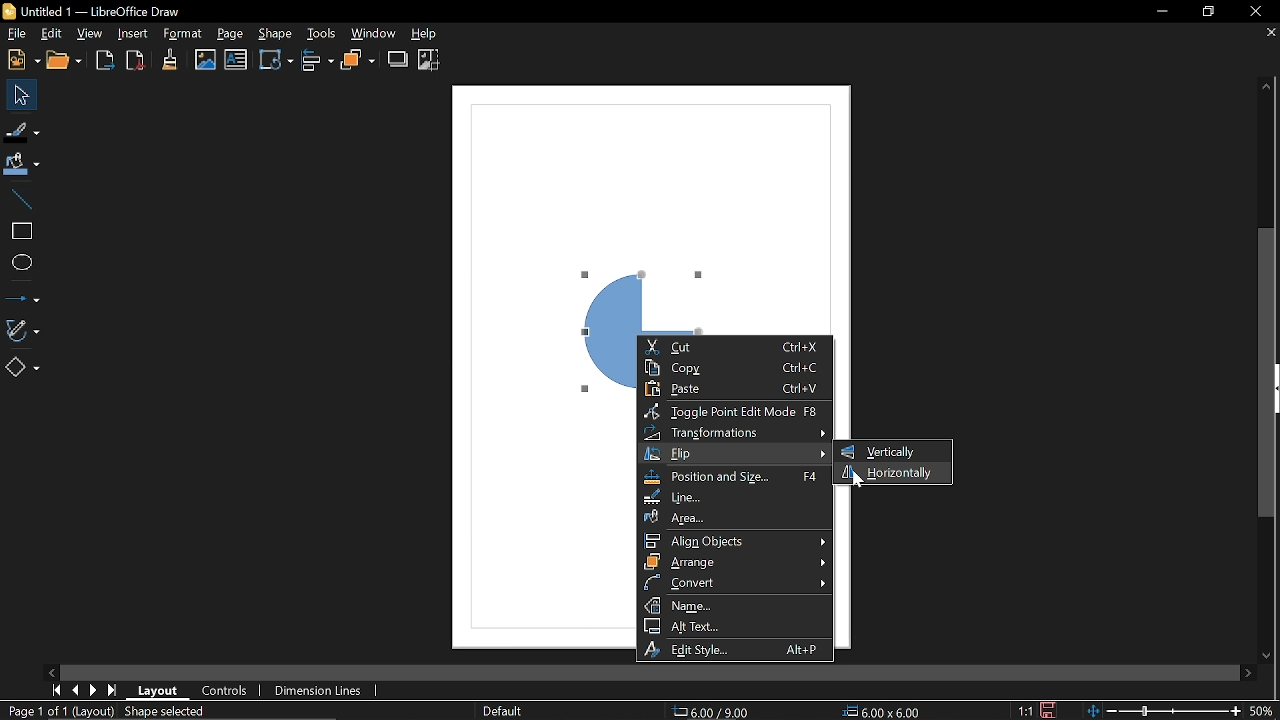  I want to click on New, so click(21, 60).